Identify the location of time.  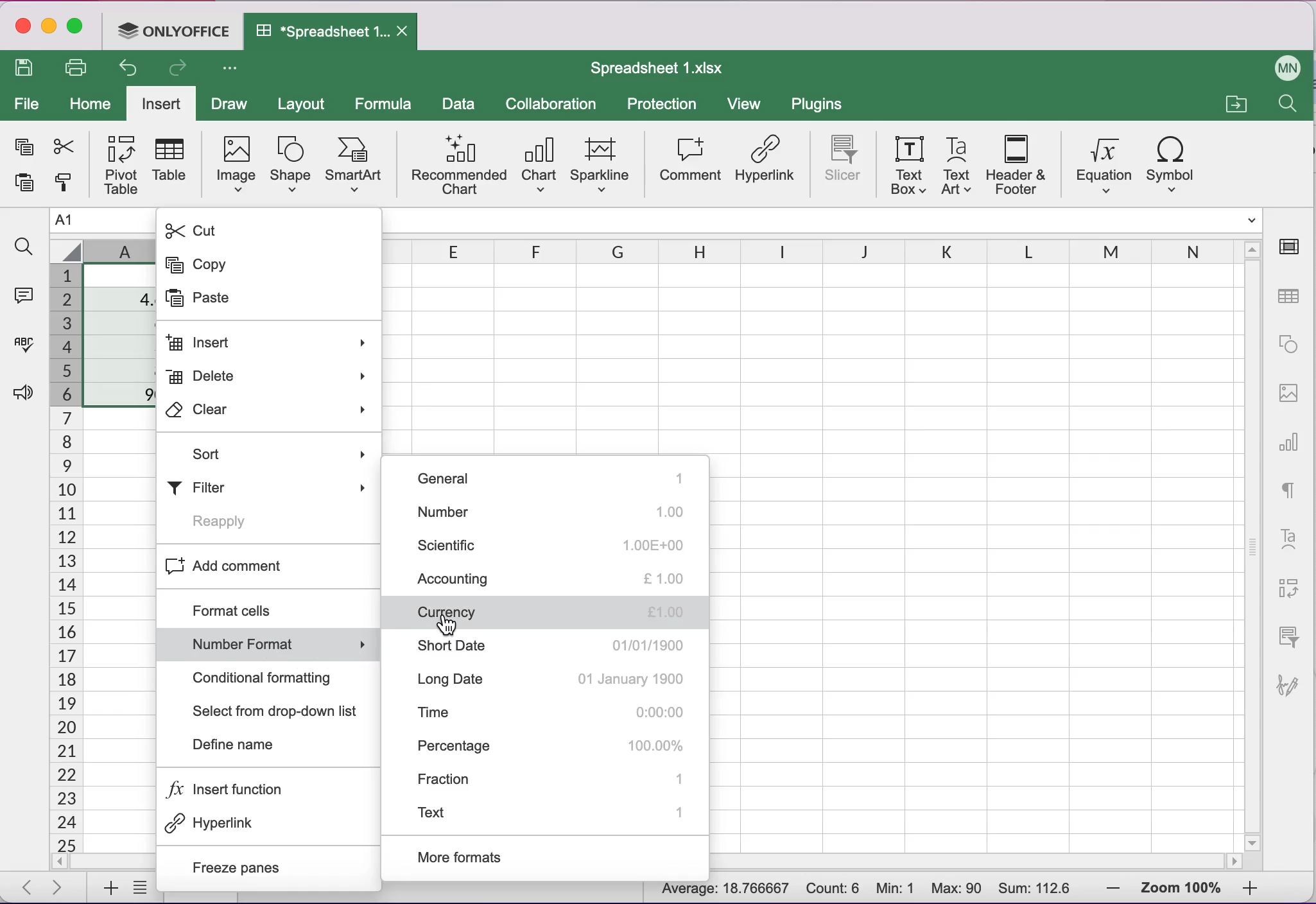
(557, 713).